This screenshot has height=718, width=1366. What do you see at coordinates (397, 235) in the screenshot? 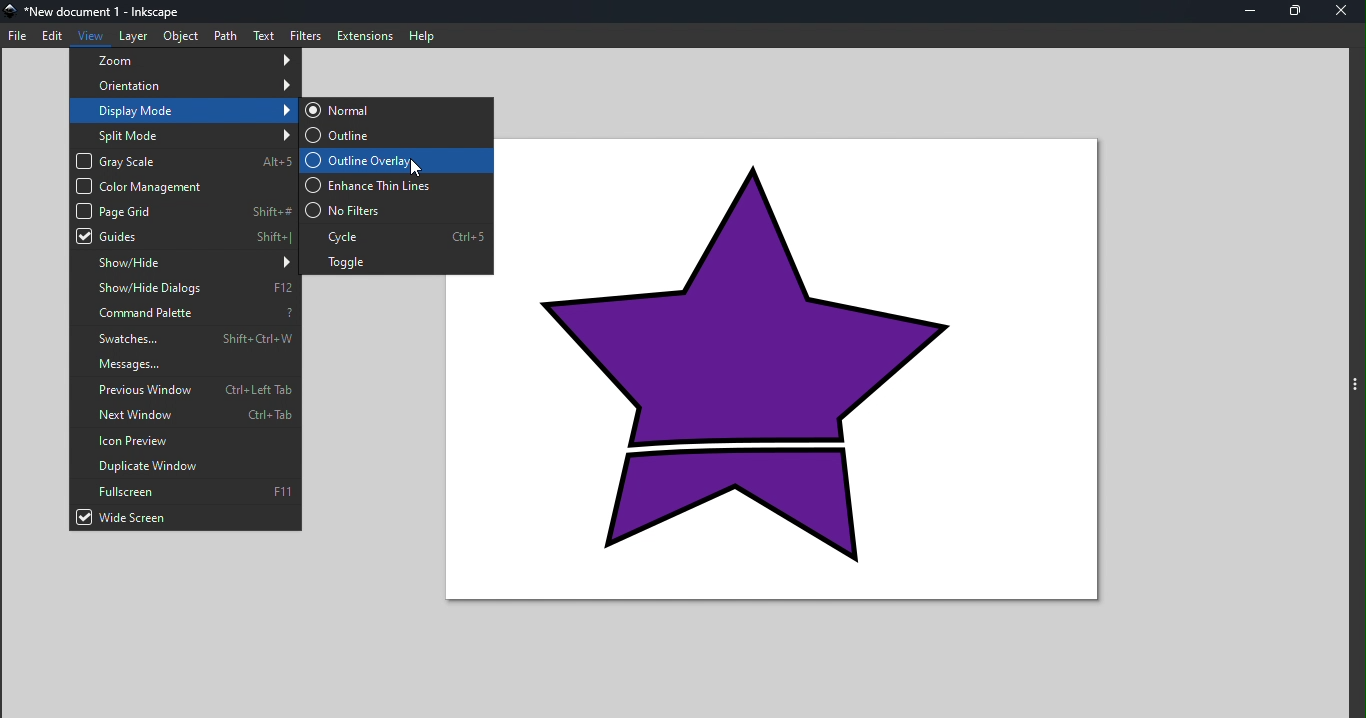
I see `Cycle` at bounding box center [397, 235].